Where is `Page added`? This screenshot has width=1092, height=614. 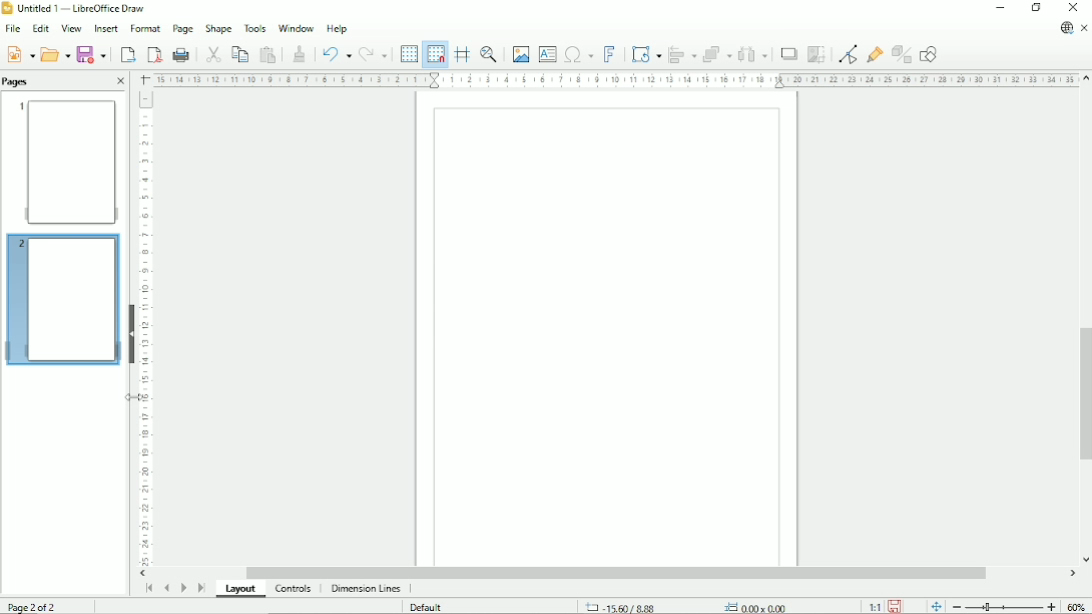
Page added is located at coordinates (61, 297).